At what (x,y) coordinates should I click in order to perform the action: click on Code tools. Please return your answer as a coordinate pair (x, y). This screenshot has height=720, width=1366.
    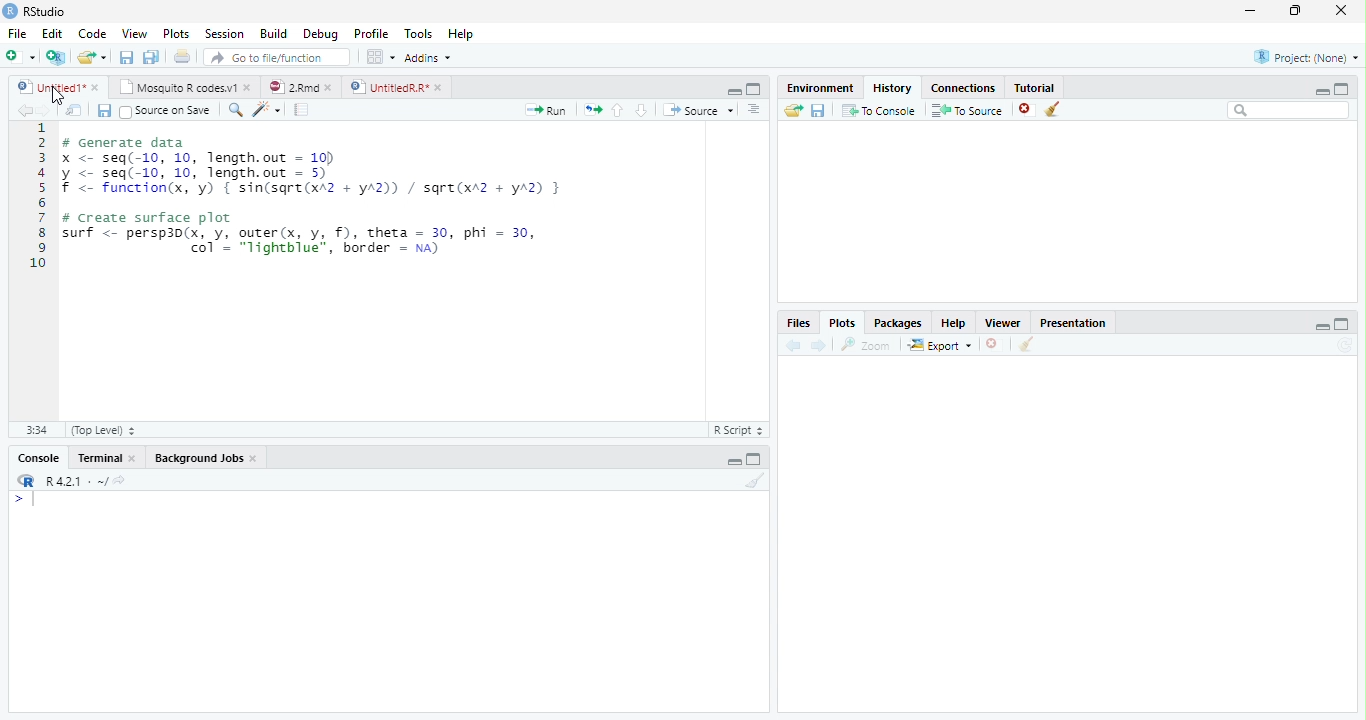
    Looking at the image, I should click on (267, 109).